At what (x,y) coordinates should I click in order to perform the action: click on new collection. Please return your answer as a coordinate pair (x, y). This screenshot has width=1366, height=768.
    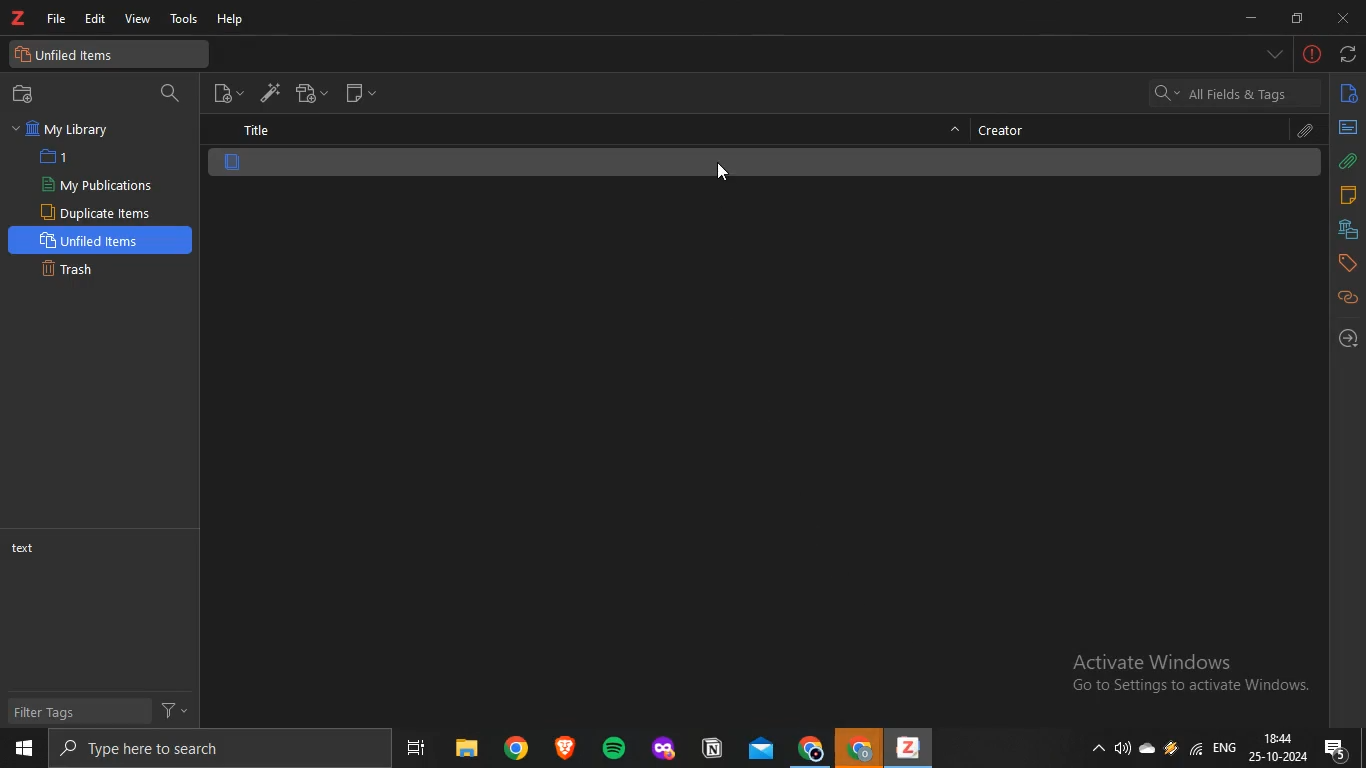
    Looking at the image, I should click on (29, 93).